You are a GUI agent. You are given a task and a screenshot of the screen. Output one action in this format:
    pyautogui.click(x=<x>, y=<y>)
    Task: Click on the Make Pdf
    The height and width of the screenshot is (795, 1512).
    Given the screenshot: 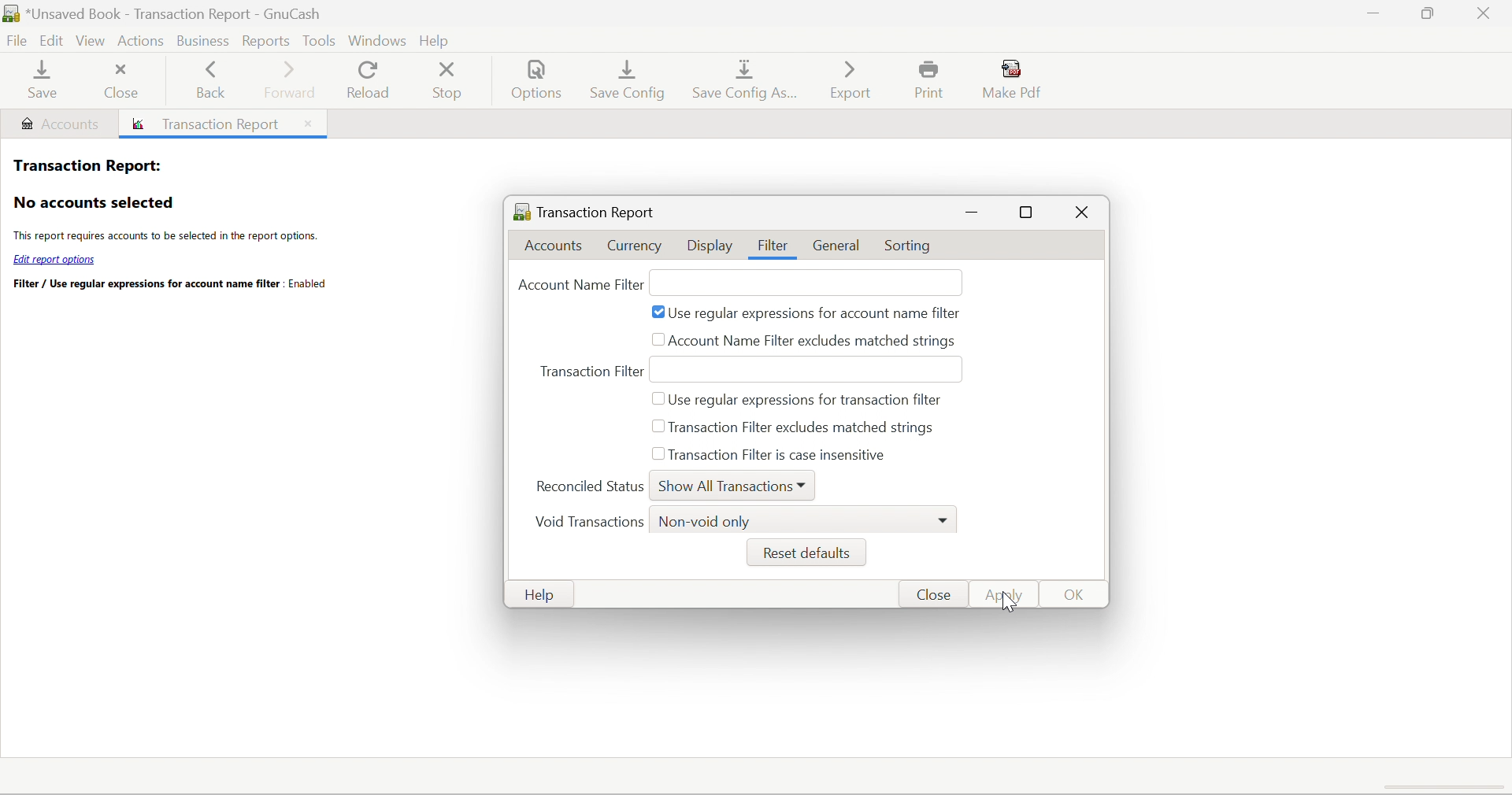 What is the action you would take?
    pyautogui.click(x=1017, y=79)
    